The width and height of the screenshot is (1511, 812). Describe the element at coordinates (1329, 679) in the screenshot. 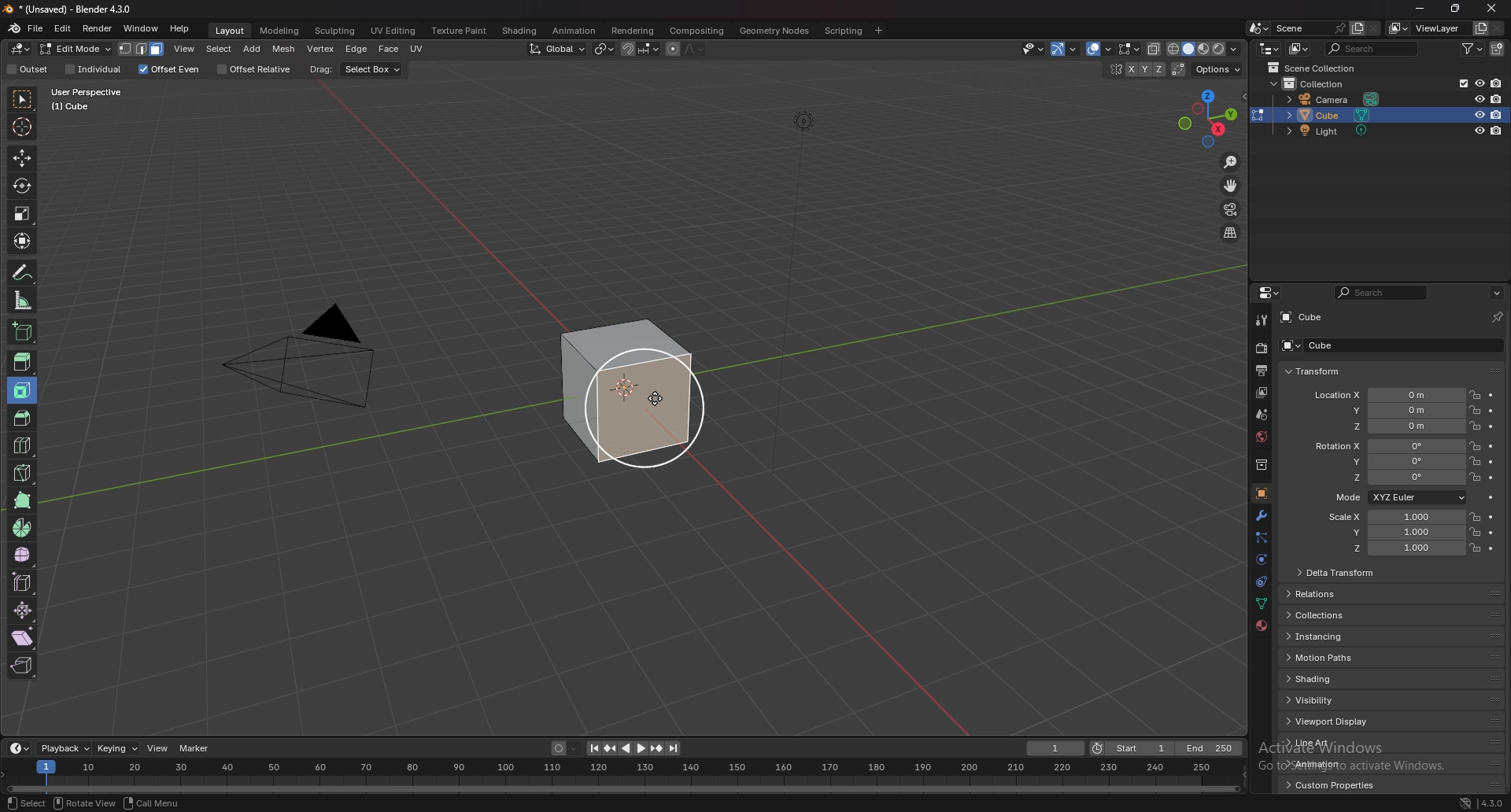

I see `shading` at that location.